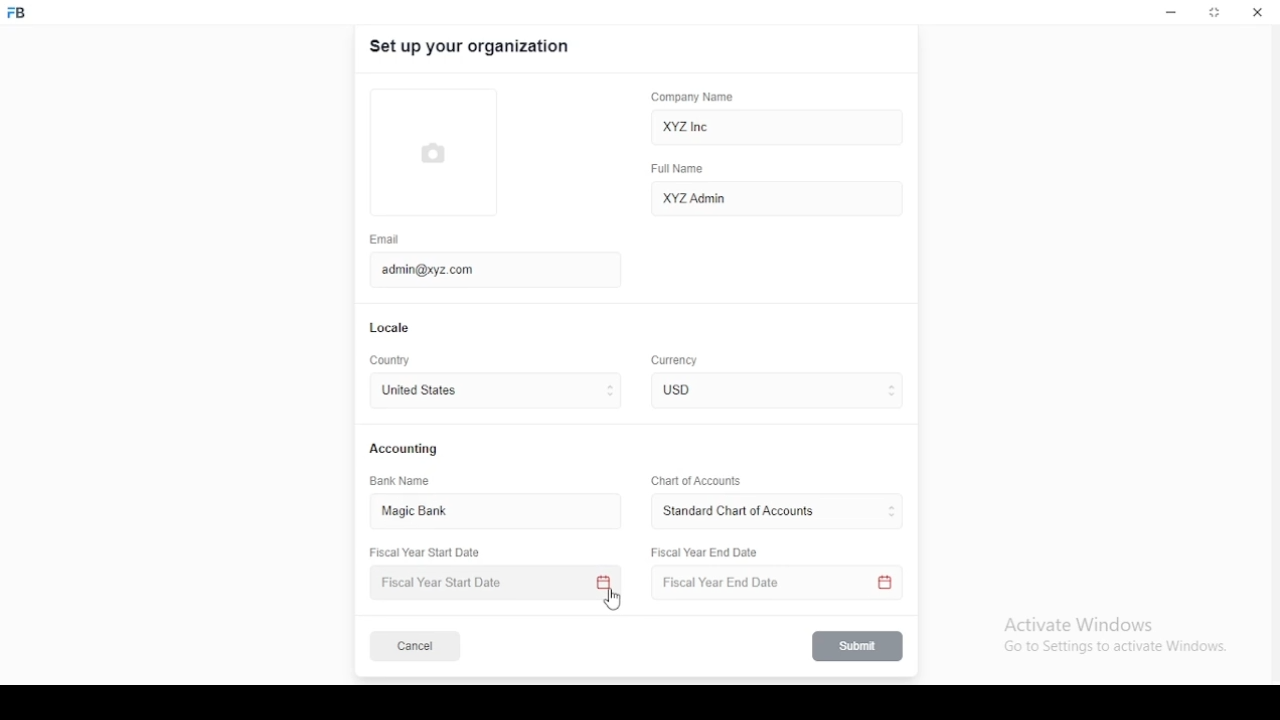 The height and width of the screenshot is (720, 1280). I want to click on Chart of Accounts, so click(693, 480).